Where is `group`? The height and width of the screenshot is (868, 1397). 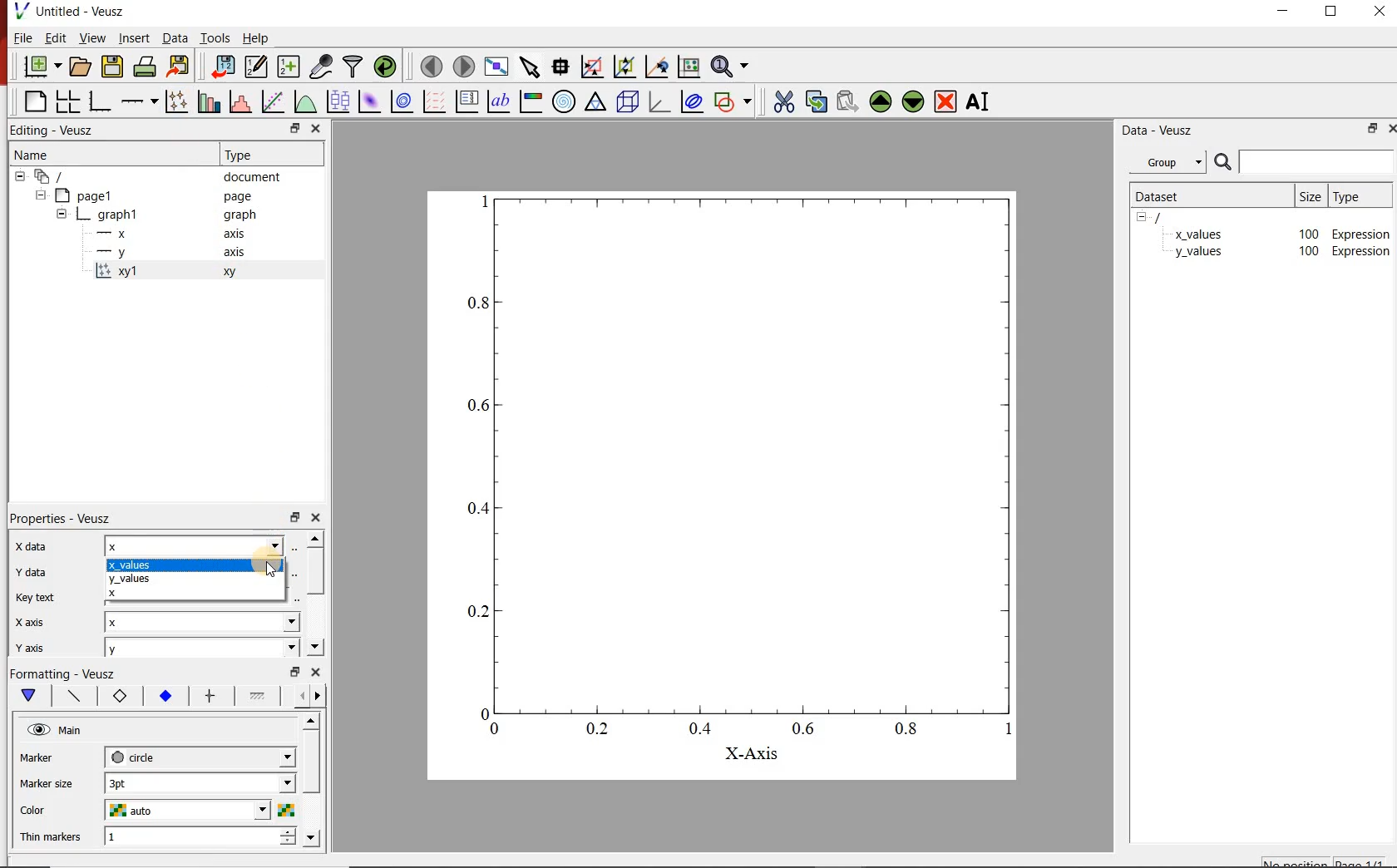
group is located at coordinates (1165, 162).